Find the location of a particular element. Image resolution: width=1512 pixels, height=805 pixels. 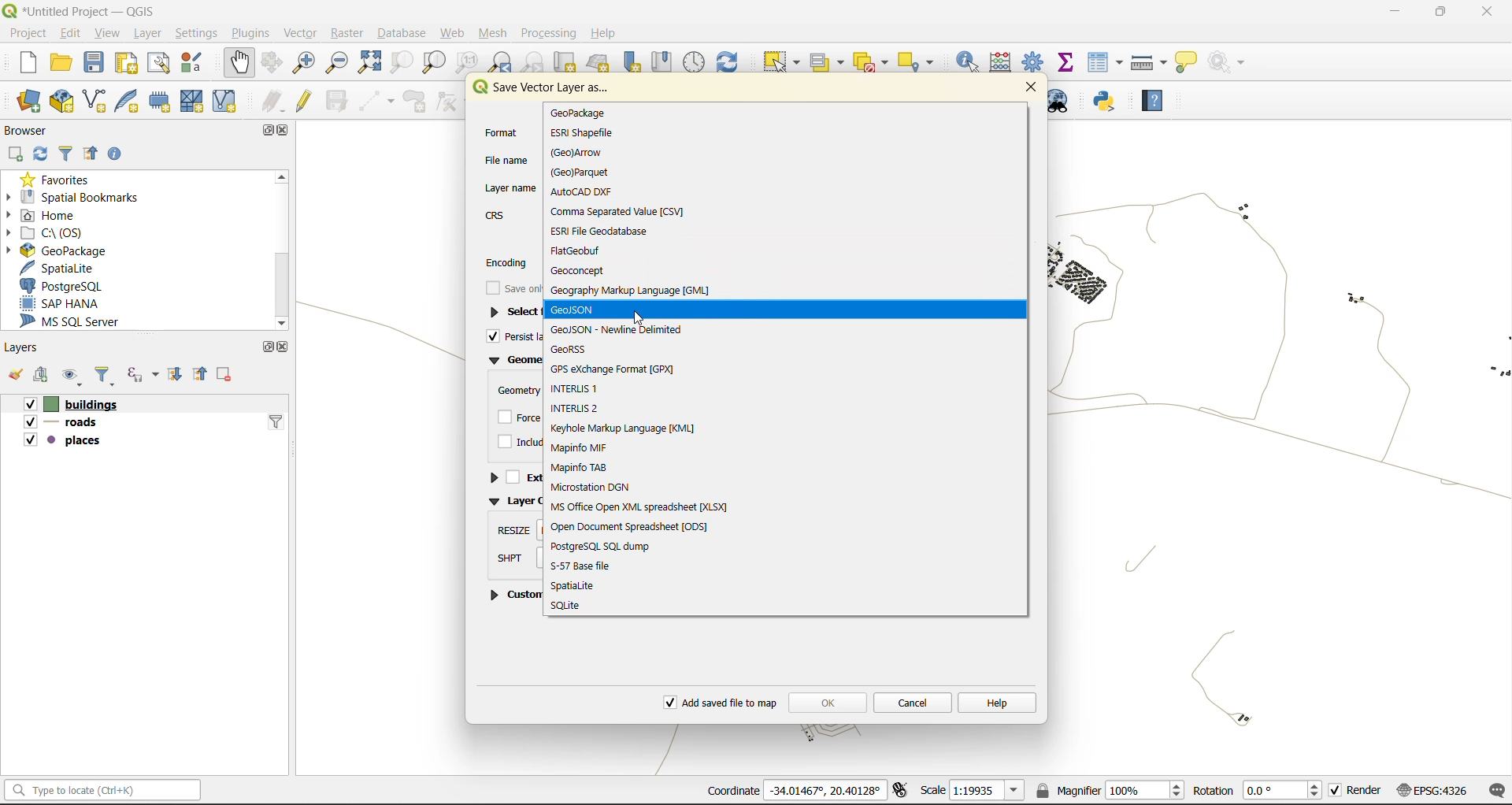

manage map is located at coordinates (69, 377).